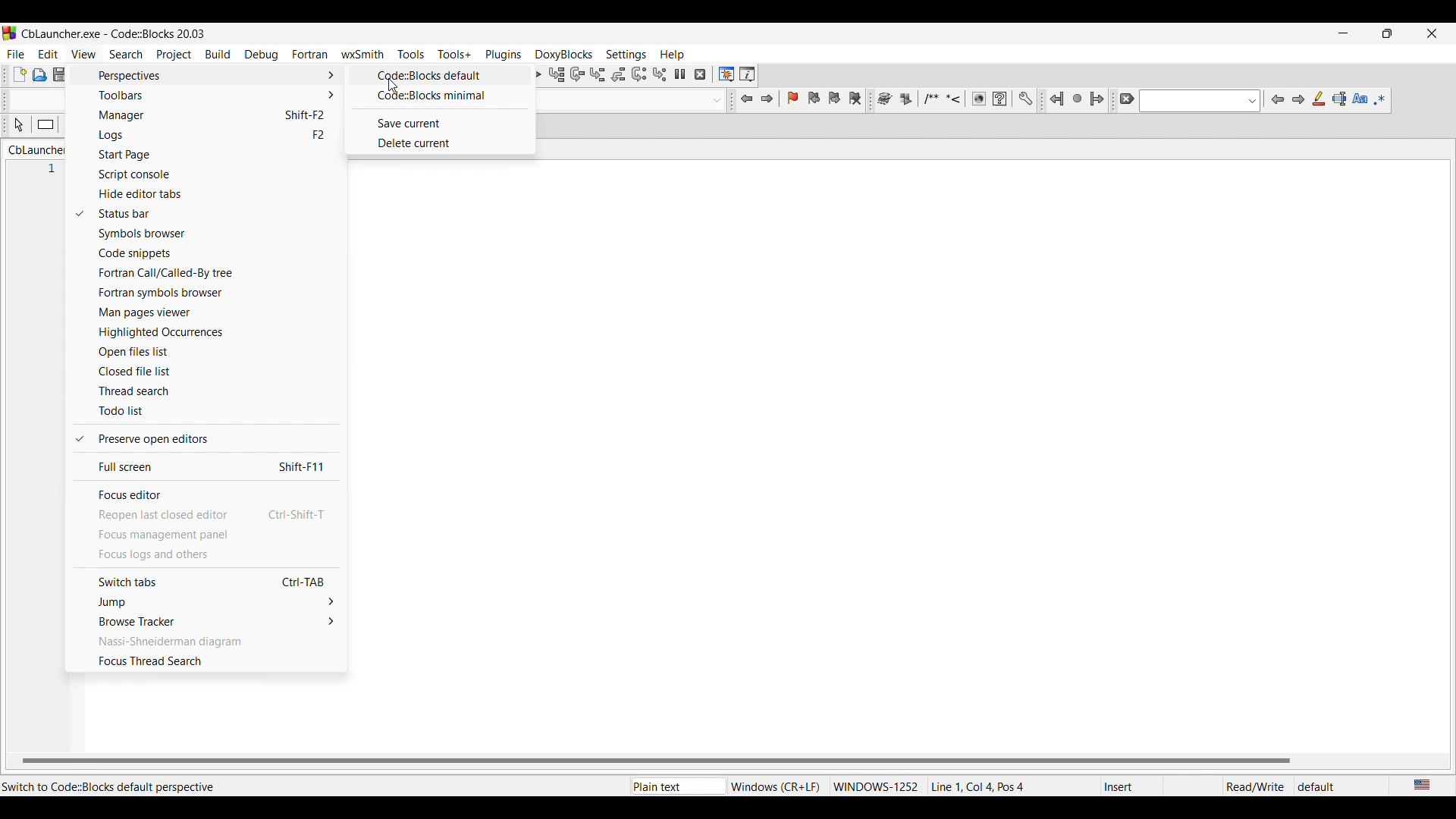 The image size is (1456, 819). Describe the element at coordinates (557, 74) in the screenshot. I see `Run to cursor` at that location.